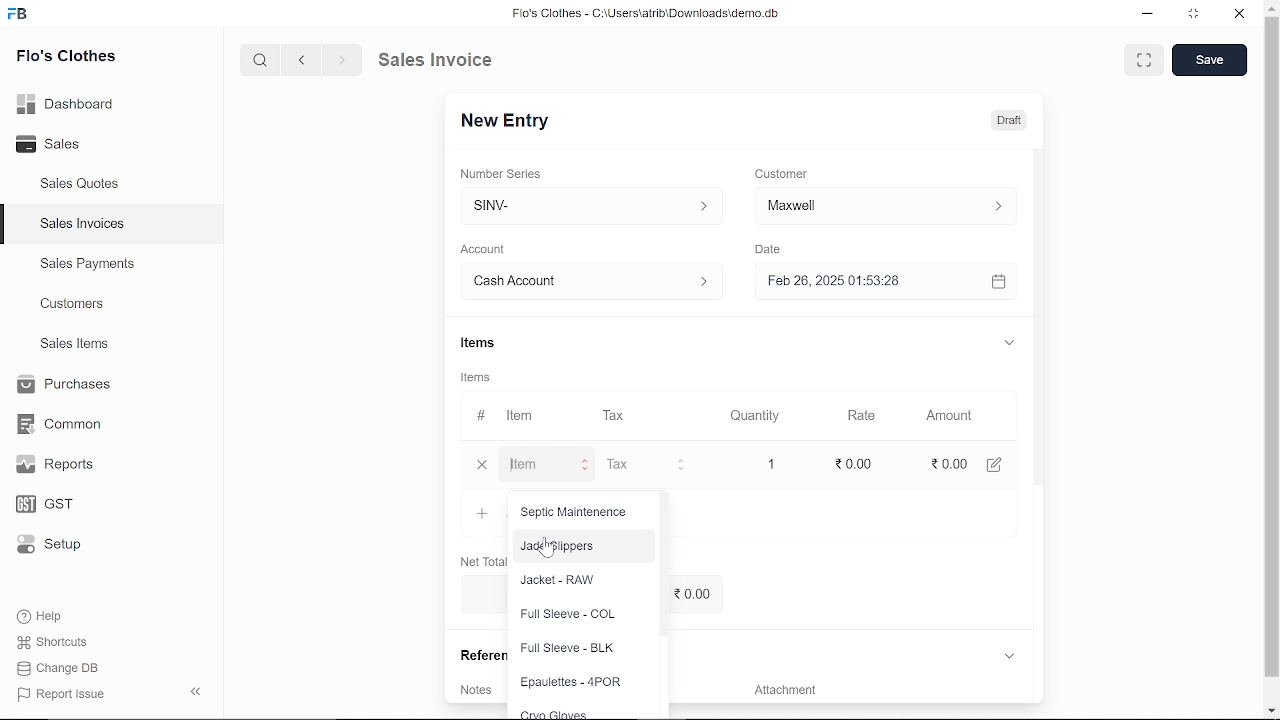  What do you see at coordinates (488, 463) in the screenshot?
I see `close` at bounding box center [488, 463].